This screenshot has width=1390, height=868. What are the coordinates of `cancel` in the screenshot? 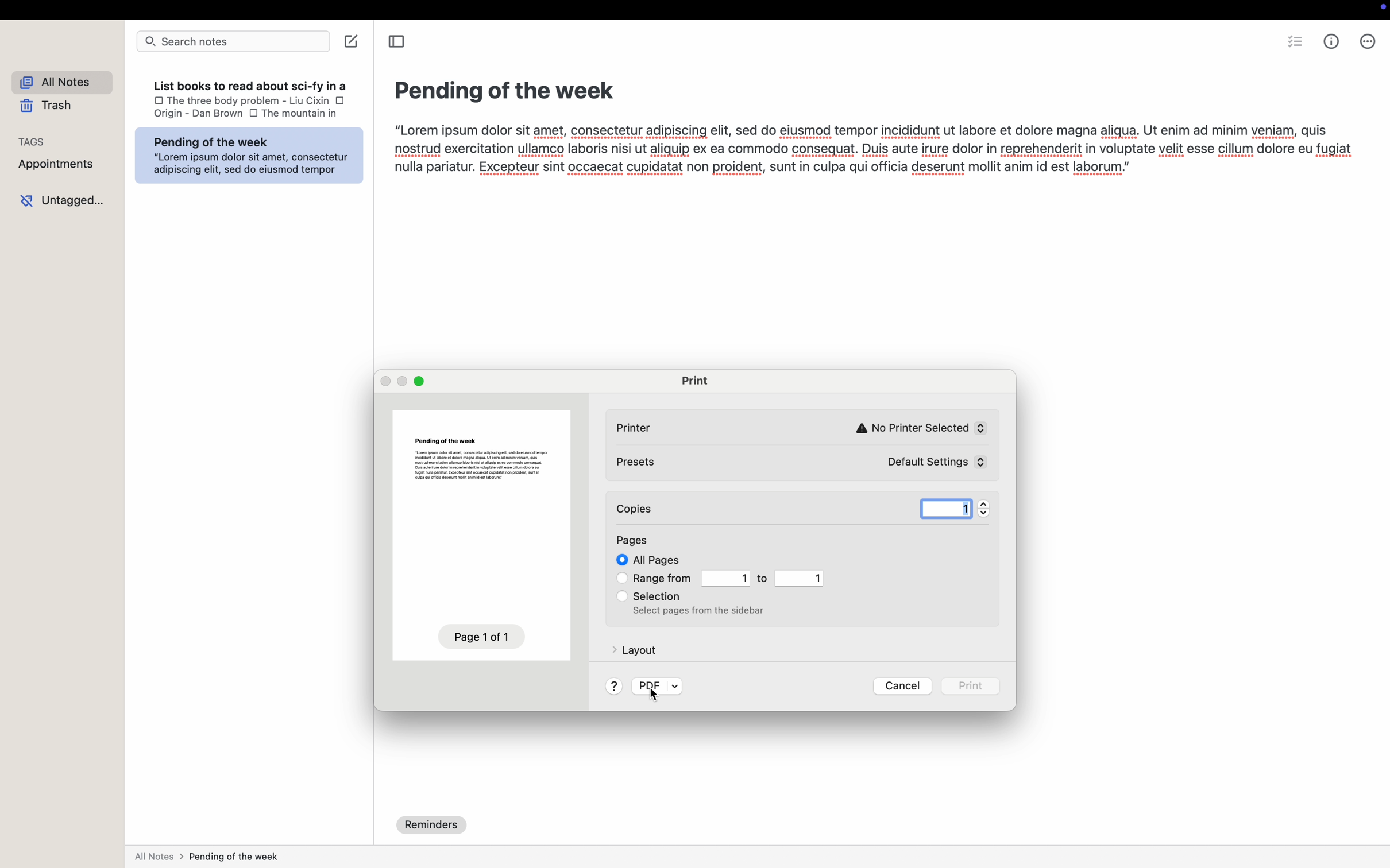 It's located at (903, 686).